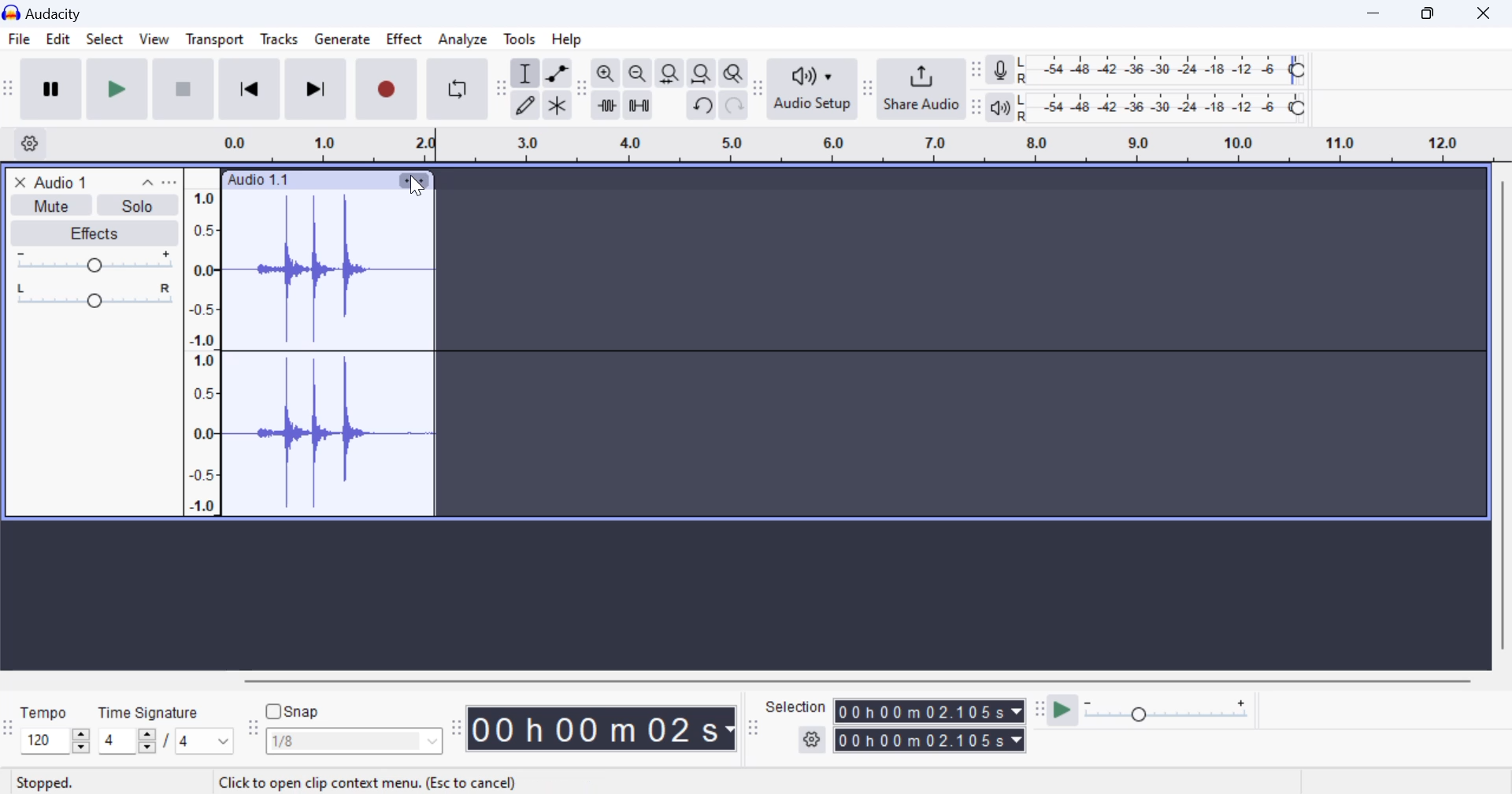 Image resolution: width=1512 pixels, height=794 pixels. Describe the element at coordinates (421, 187) in the screenshot. I see `cursor` at that location.